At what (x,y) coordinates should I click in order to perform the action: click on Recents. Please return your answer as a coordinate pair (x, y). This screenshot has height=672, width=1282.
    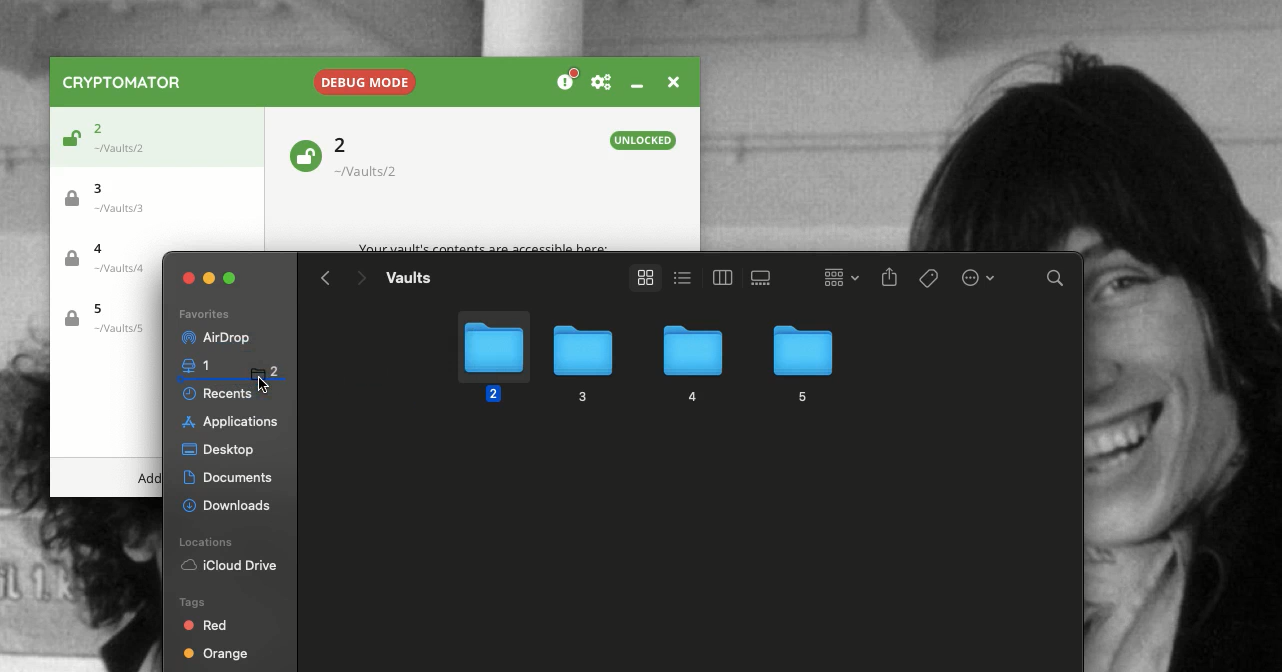
    Looking at the image, I should click on (221, 395).